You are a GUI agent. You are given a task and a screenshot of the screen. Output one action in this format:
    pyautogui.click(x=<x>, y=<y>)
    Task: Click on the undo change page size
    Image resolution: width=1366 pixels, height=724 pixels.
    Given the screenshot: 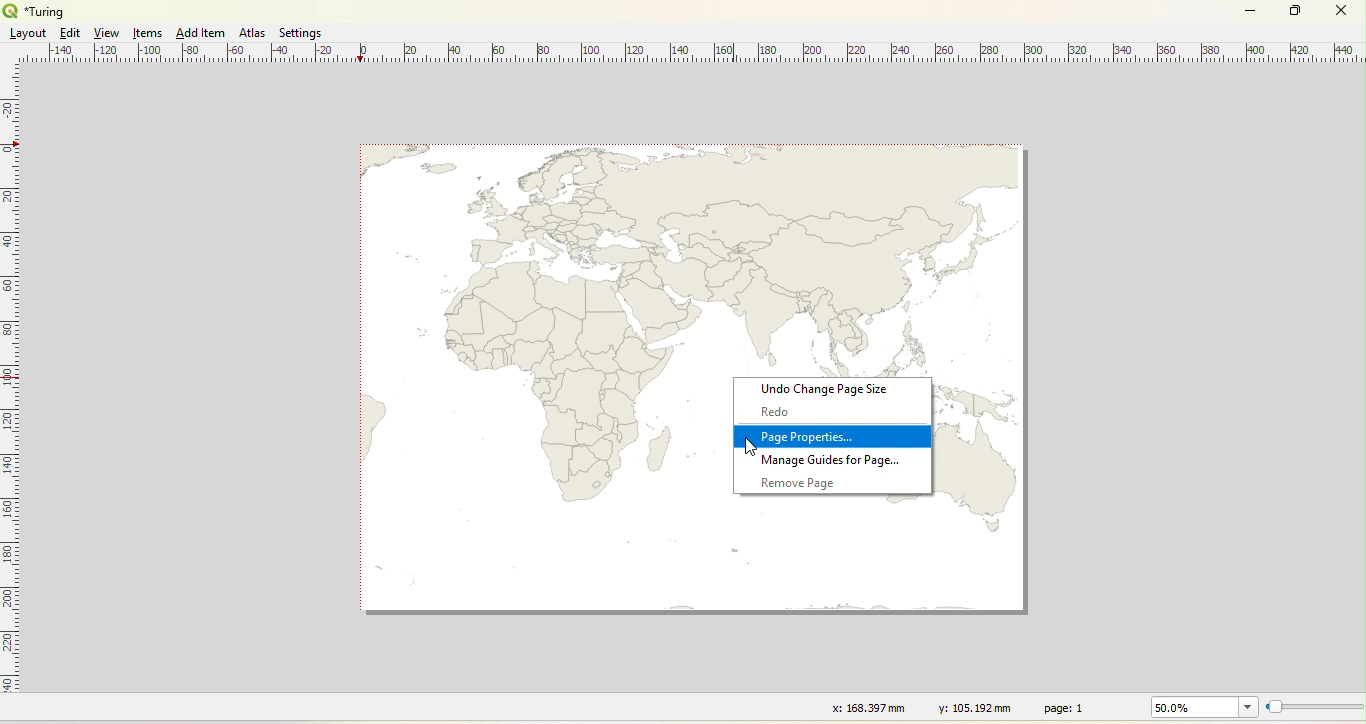 What is the action you would take?
    pyautogui.click(x=825, y=389)
    